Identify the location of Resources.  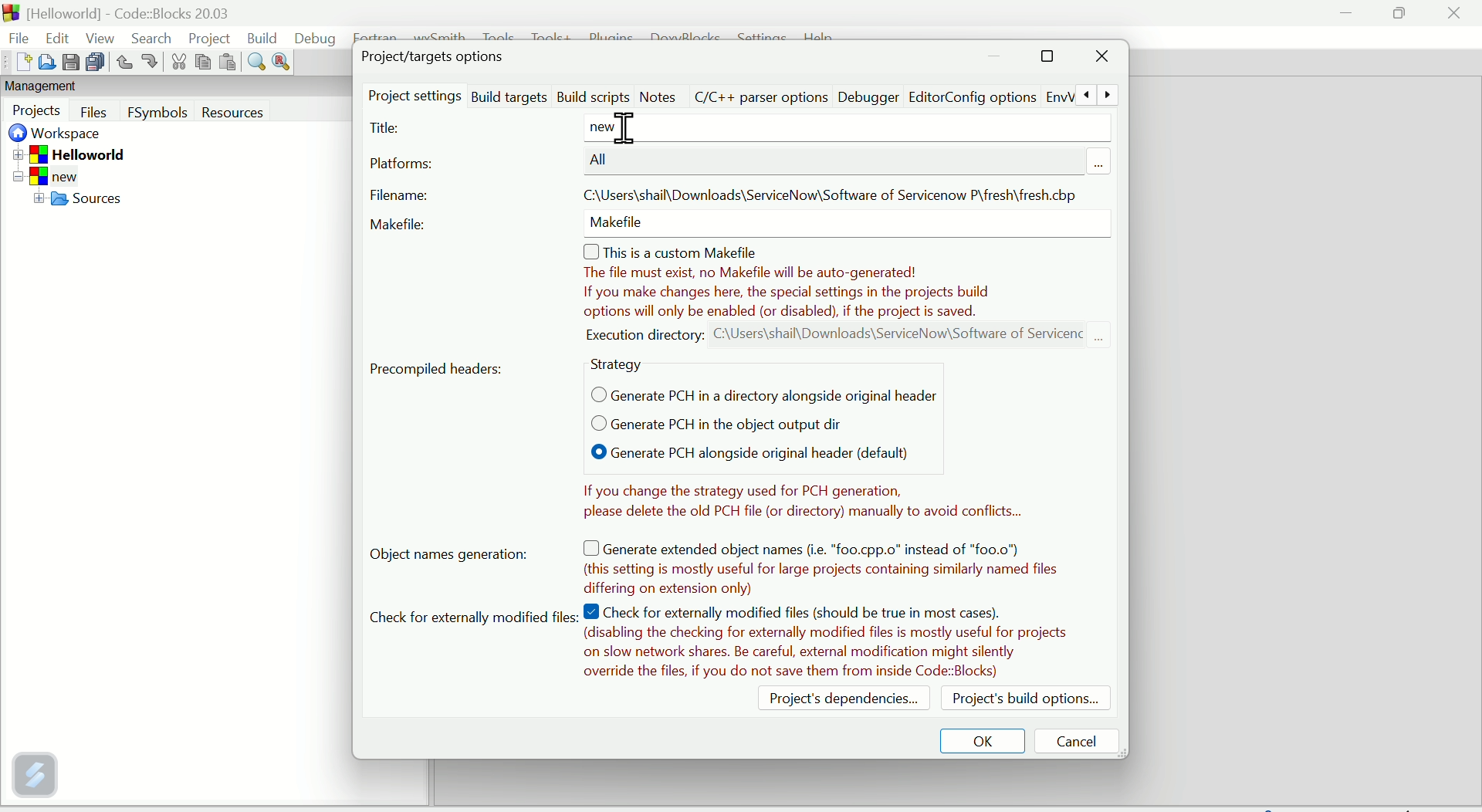
(259, 113).